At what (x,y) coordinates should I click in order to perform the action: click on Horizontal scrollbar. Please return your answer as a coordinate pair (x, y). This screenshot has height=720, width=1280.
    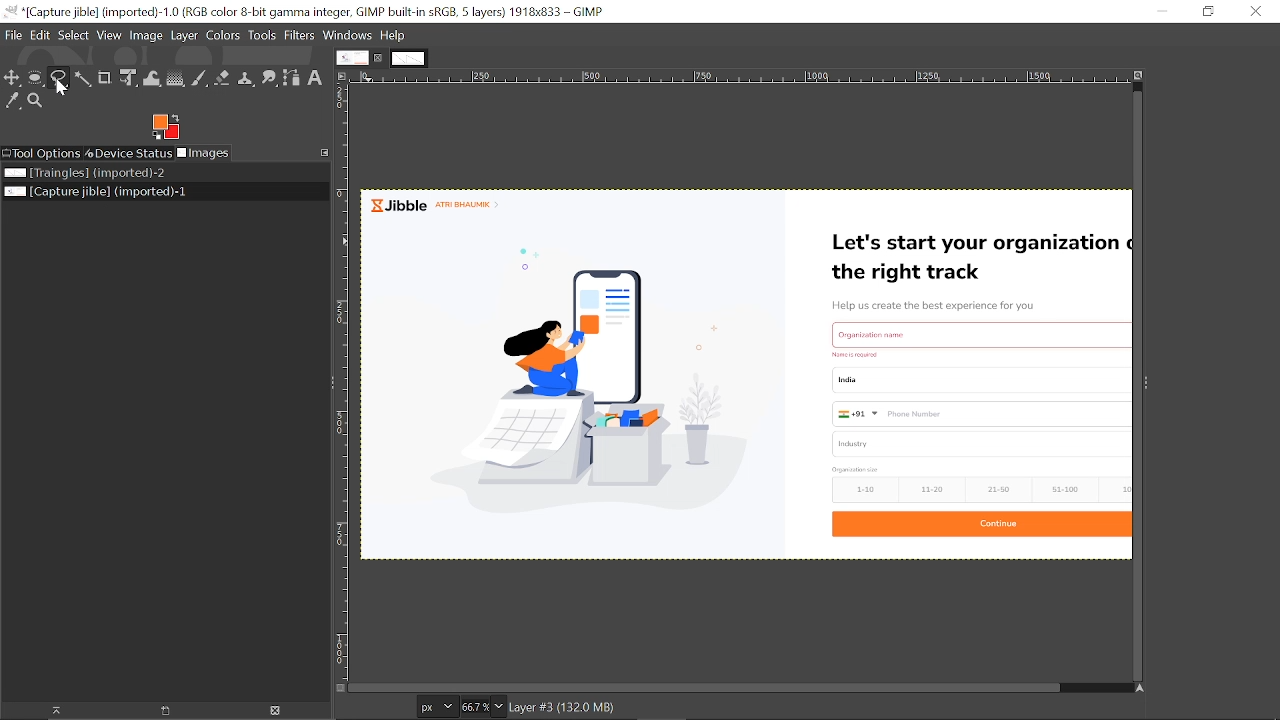
    Looking at the image, I should click on (702, 688).